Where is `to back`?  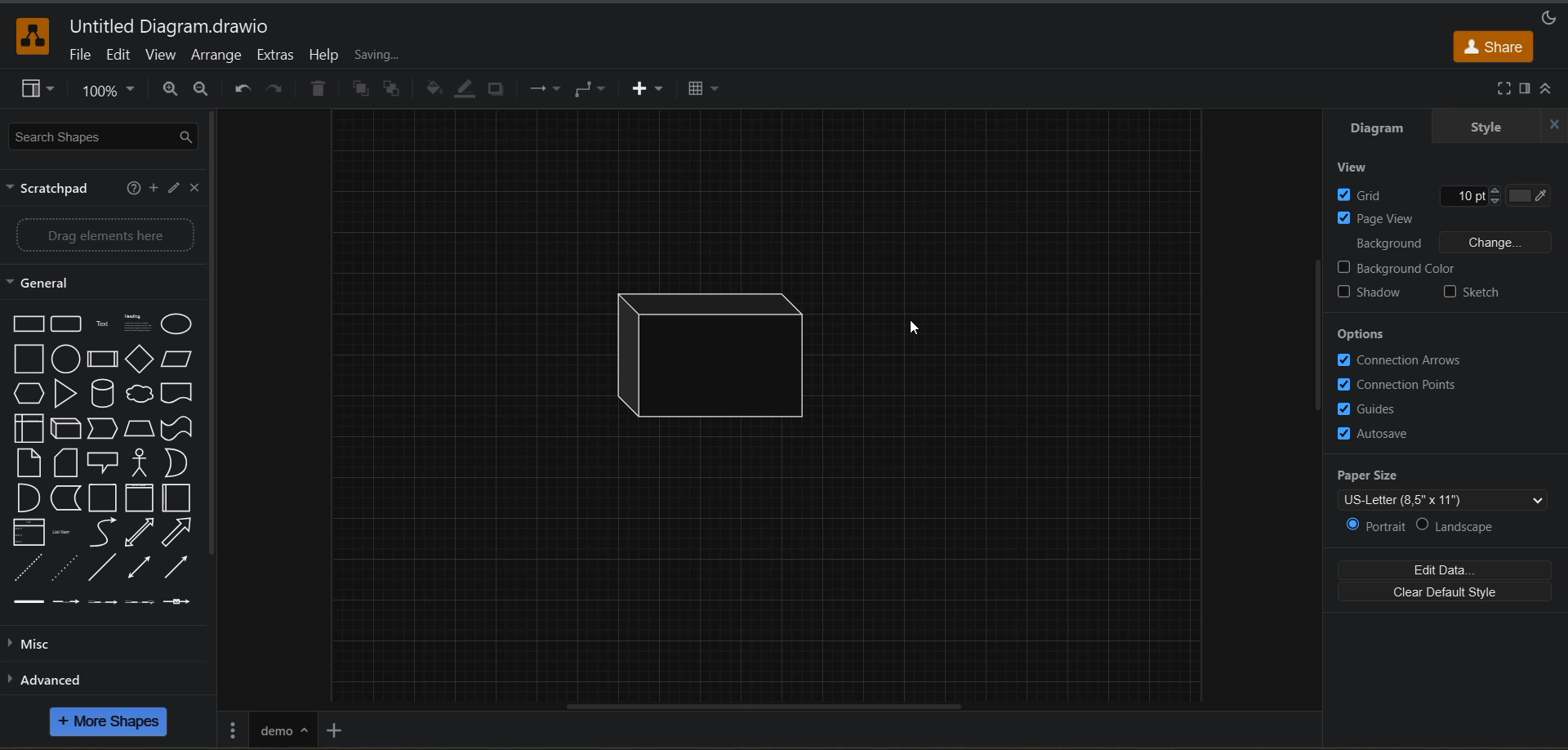
to back is located at coordinates (394, 90).